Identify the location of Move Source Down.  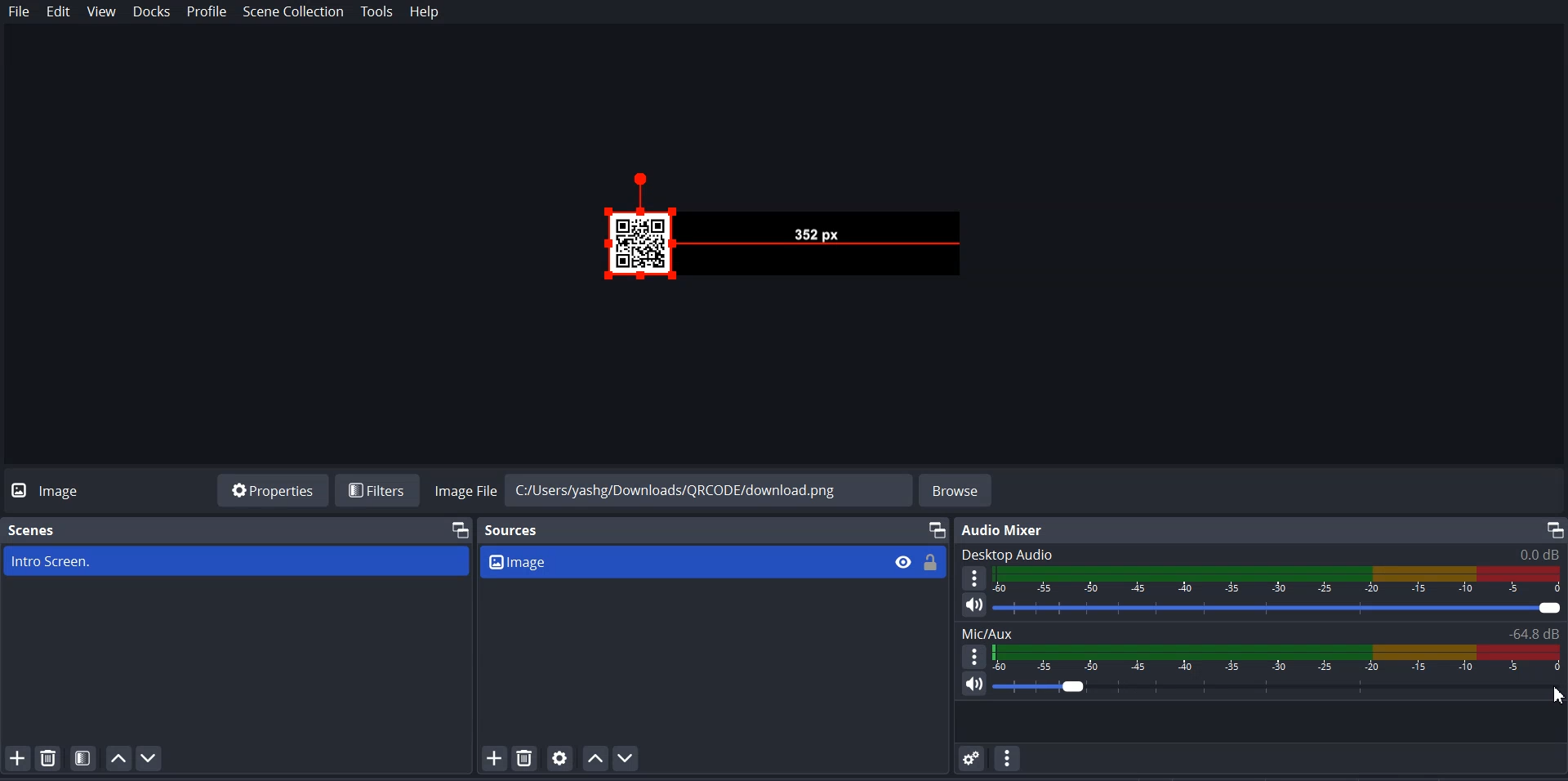
(626, 757).